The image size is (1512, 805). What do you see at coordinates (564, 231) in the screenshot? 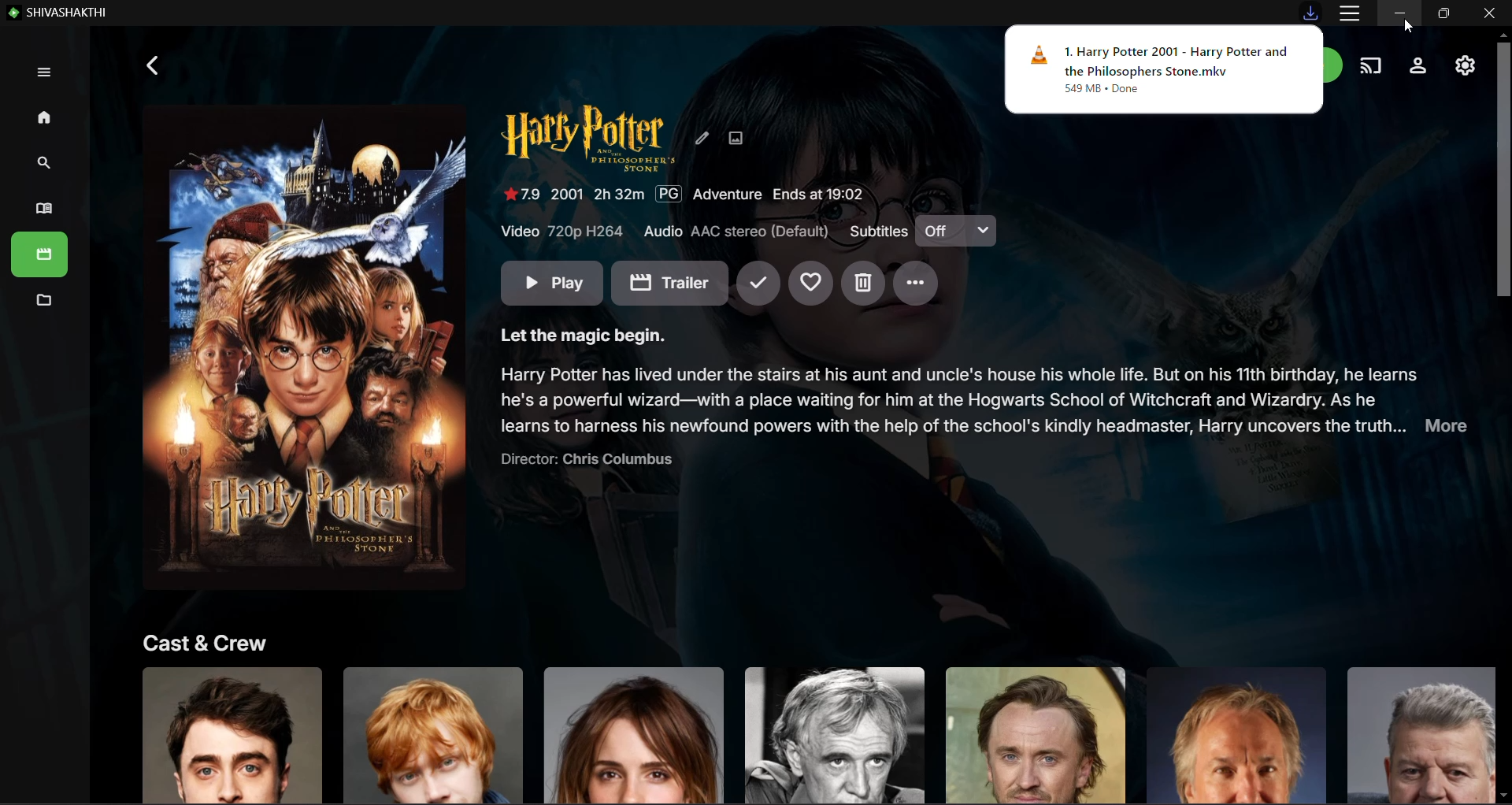
I see `Video Quality` at bounding box center [564, 231].